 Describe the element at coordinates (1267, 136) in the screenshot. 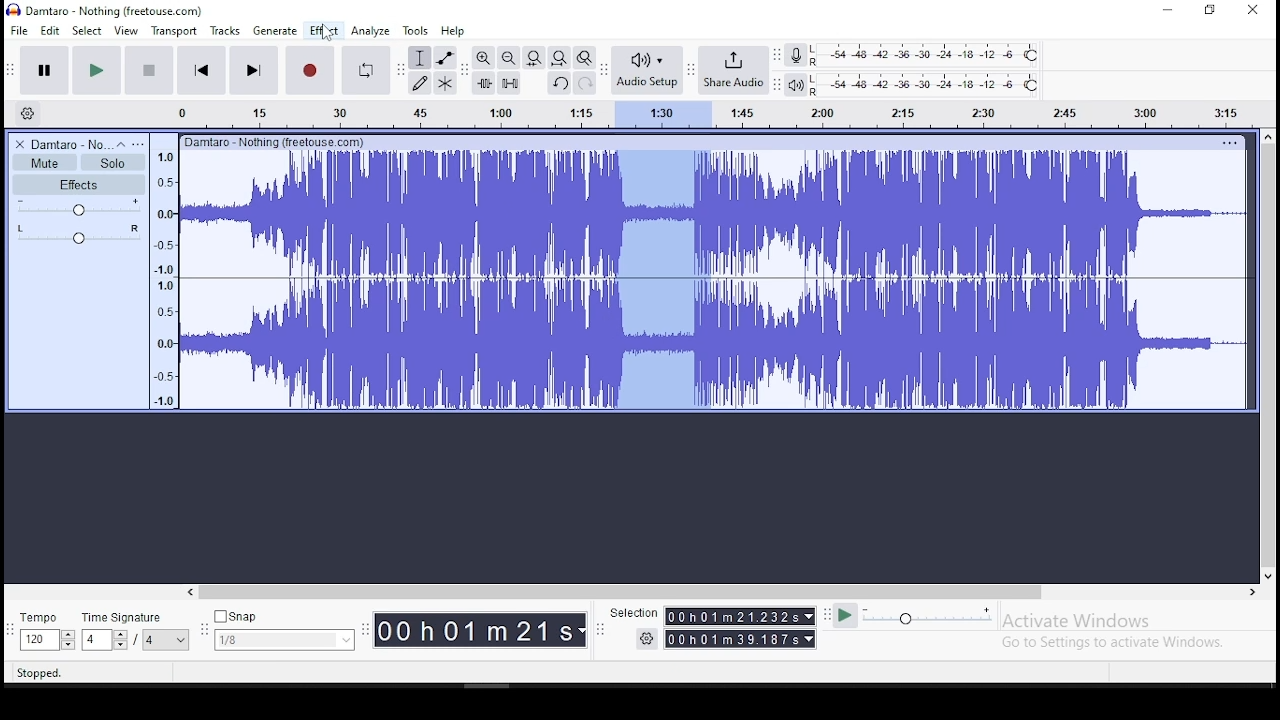

I see `up` at that location.